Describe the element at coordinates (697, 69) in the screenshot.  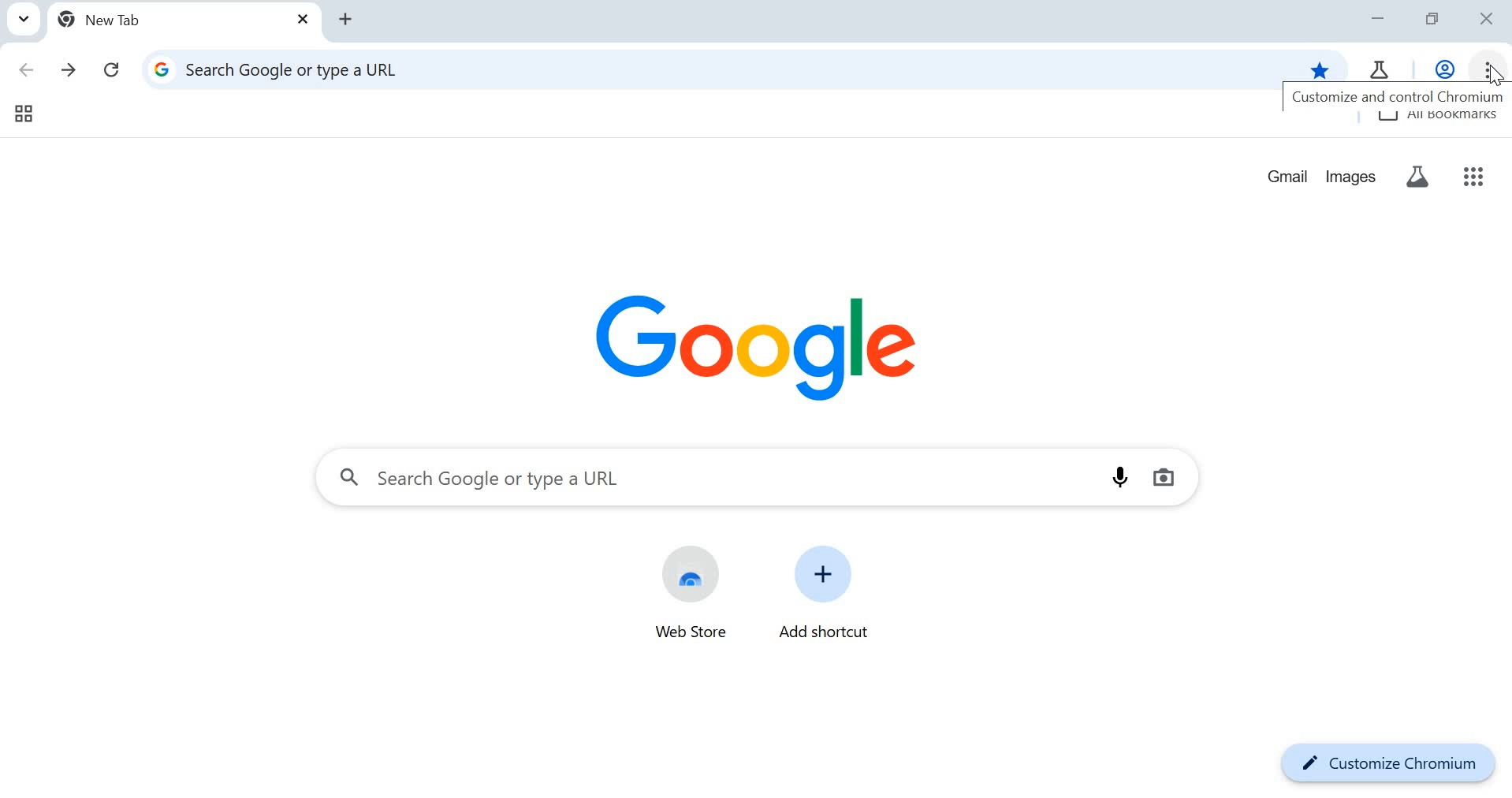
I see `address tab` at that location.